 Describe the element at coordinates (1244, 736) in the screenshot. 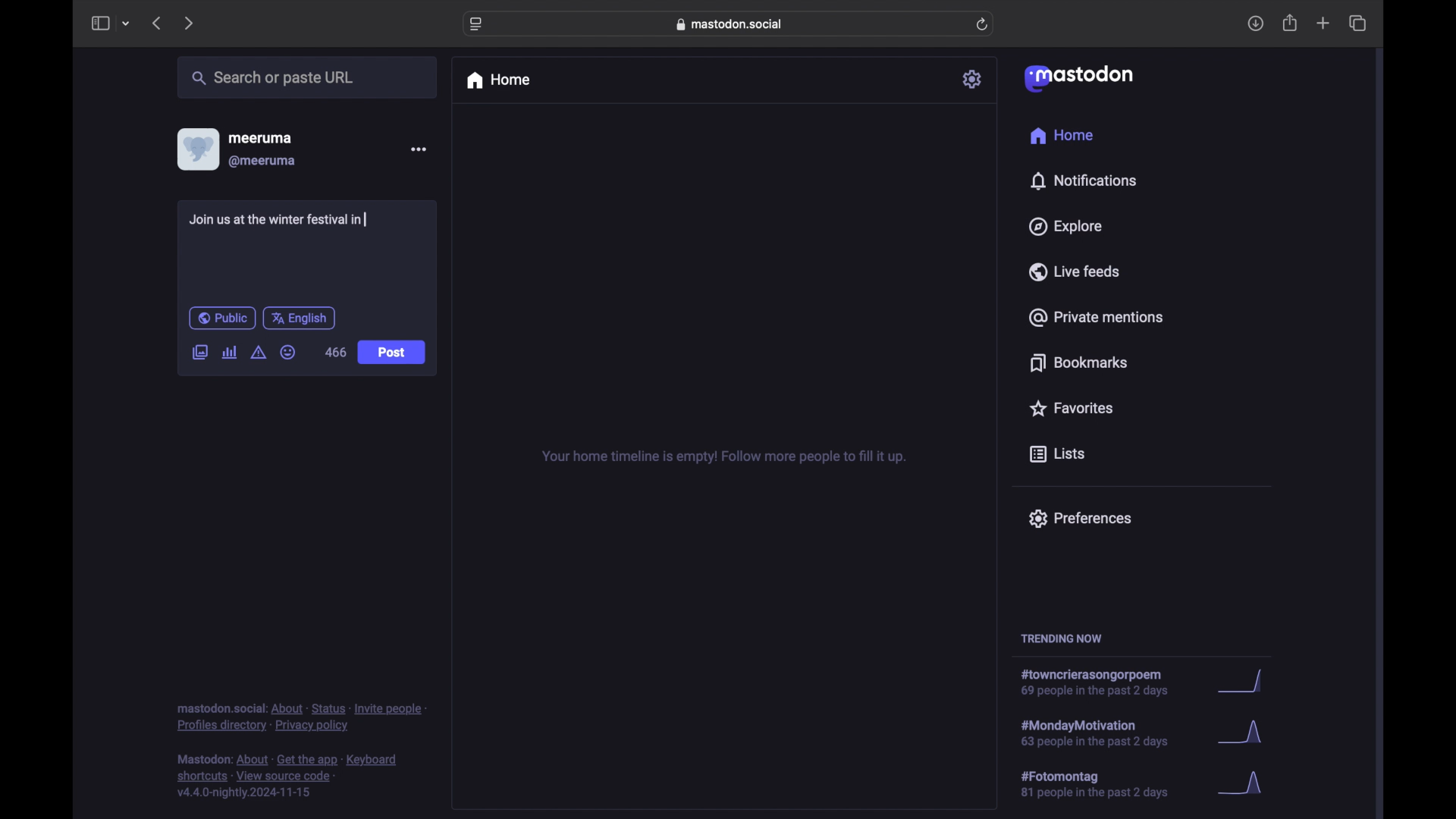

I see `graph` at that location.